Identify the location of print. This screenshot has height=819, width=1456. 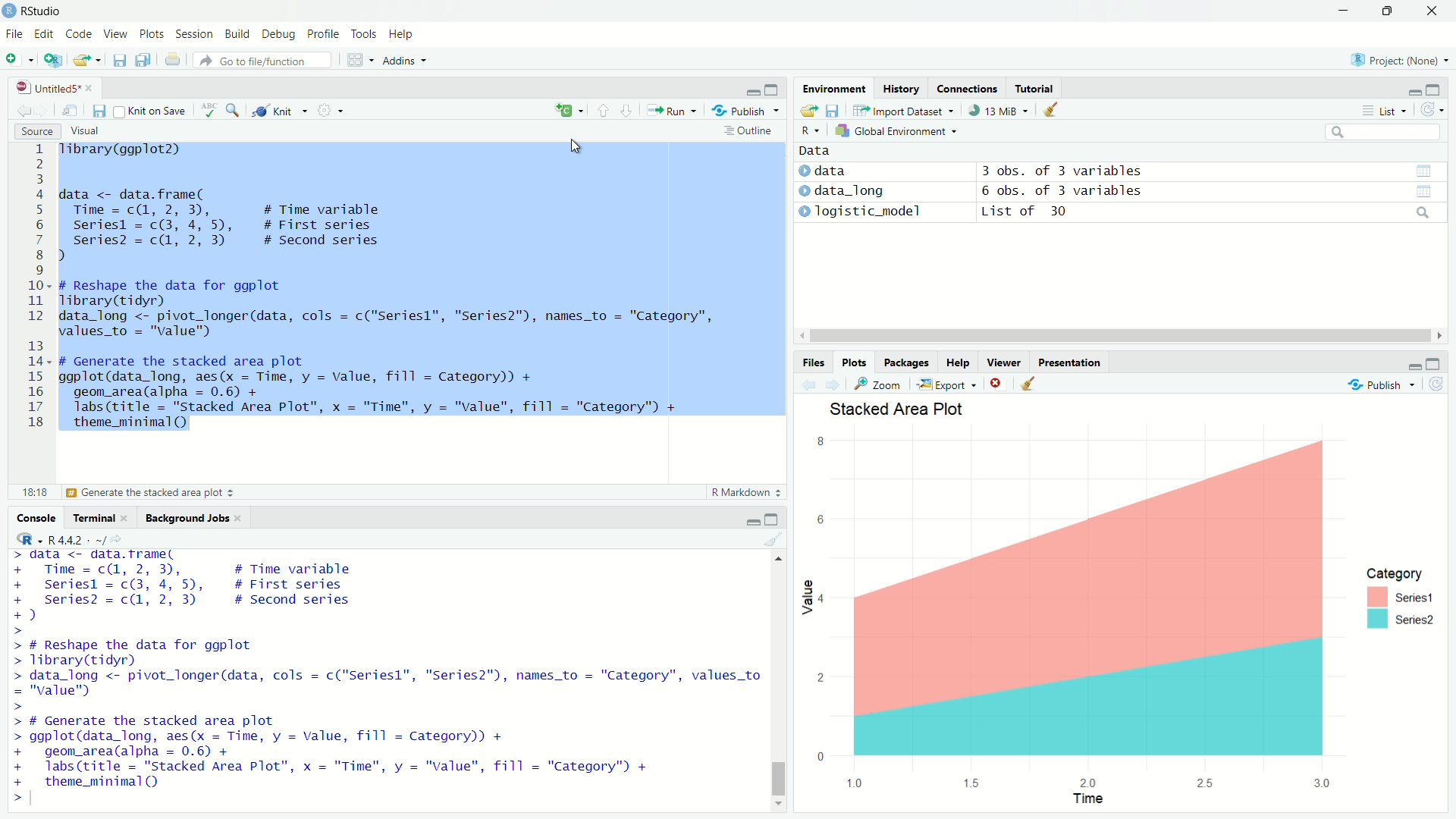
(174, 65).